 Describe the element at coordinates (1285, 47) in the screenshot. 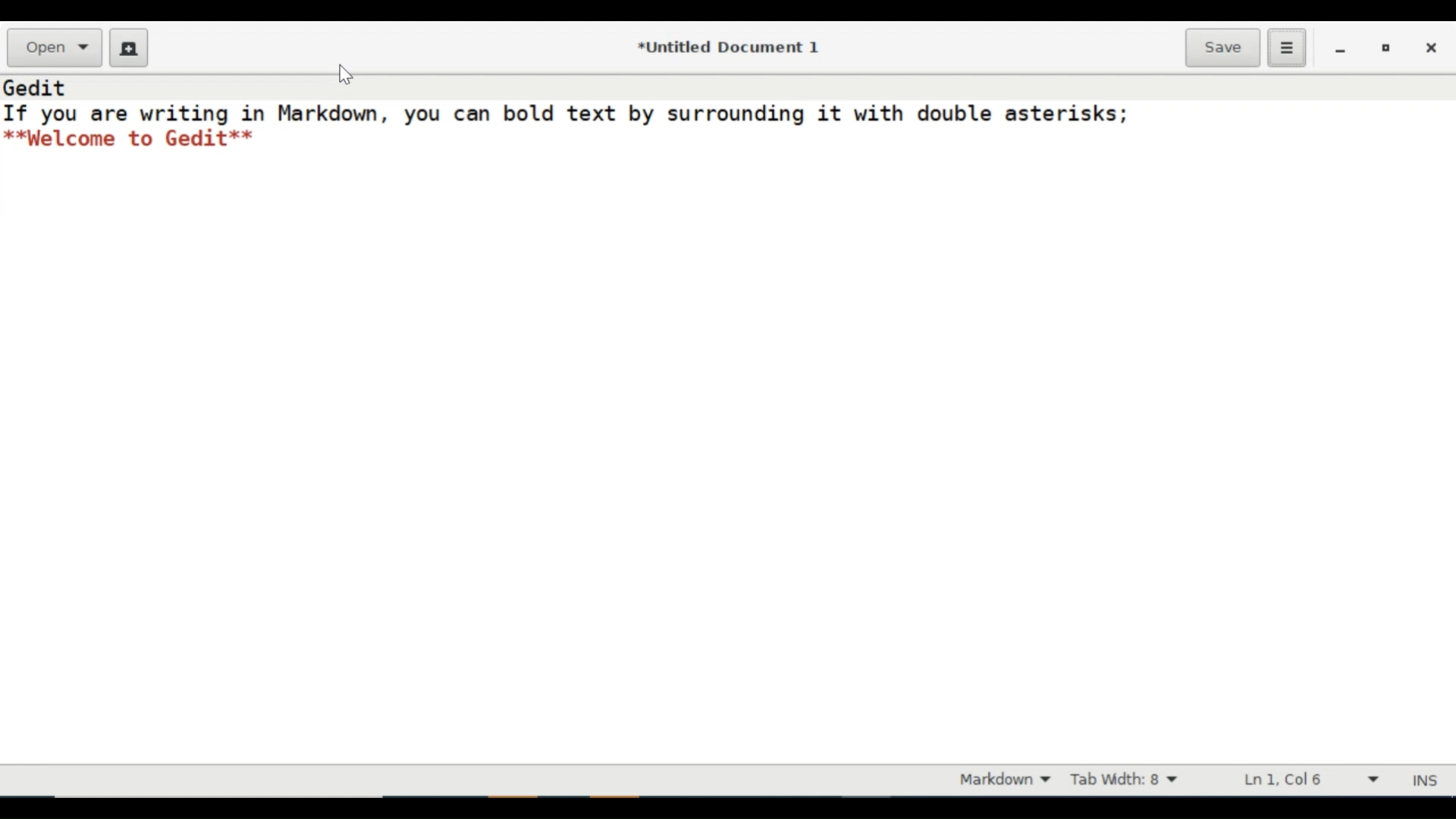

I see `Application menu` at that location.